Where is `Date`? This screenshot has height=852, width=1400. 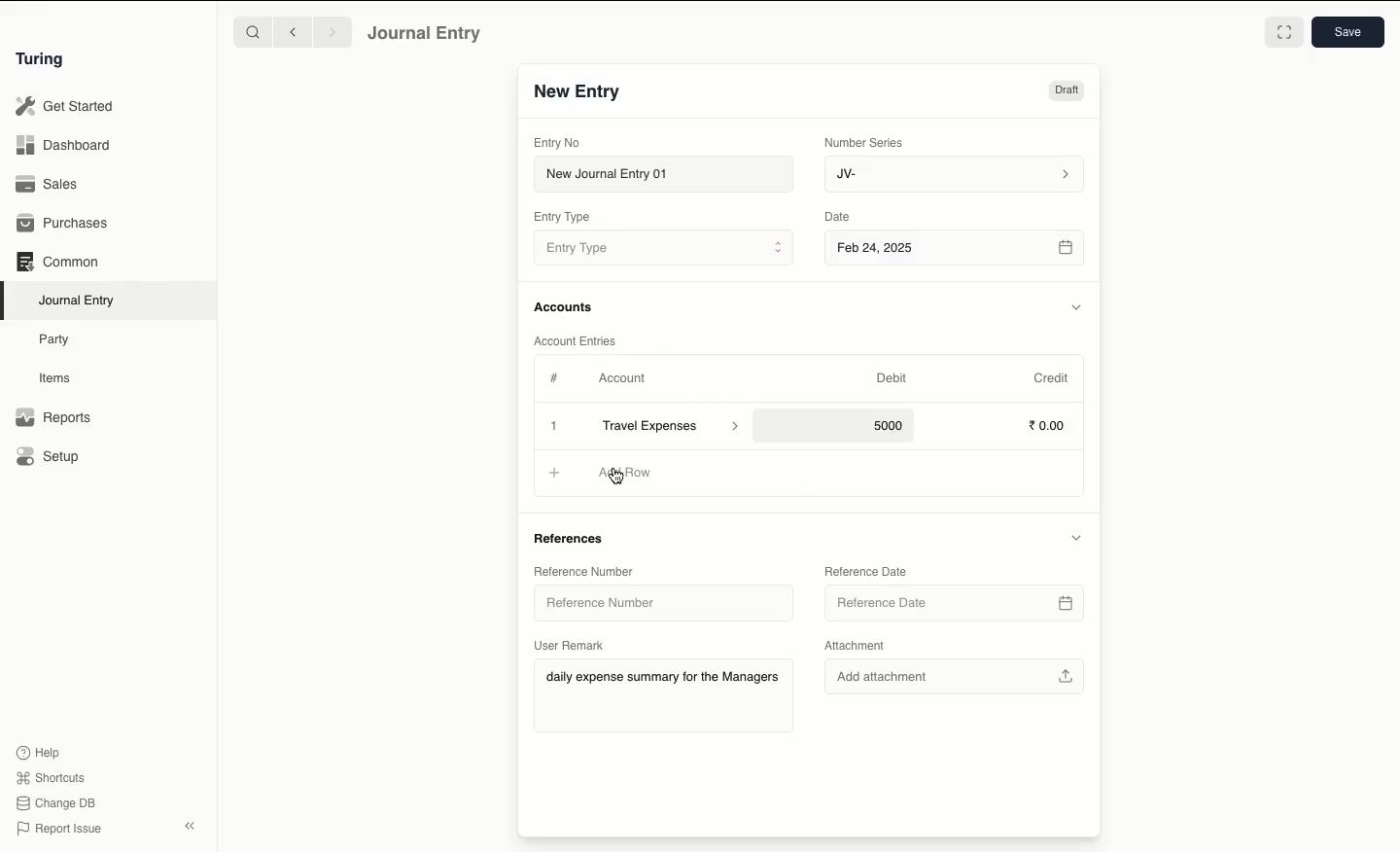 Date is located at coordinates (840, 216).